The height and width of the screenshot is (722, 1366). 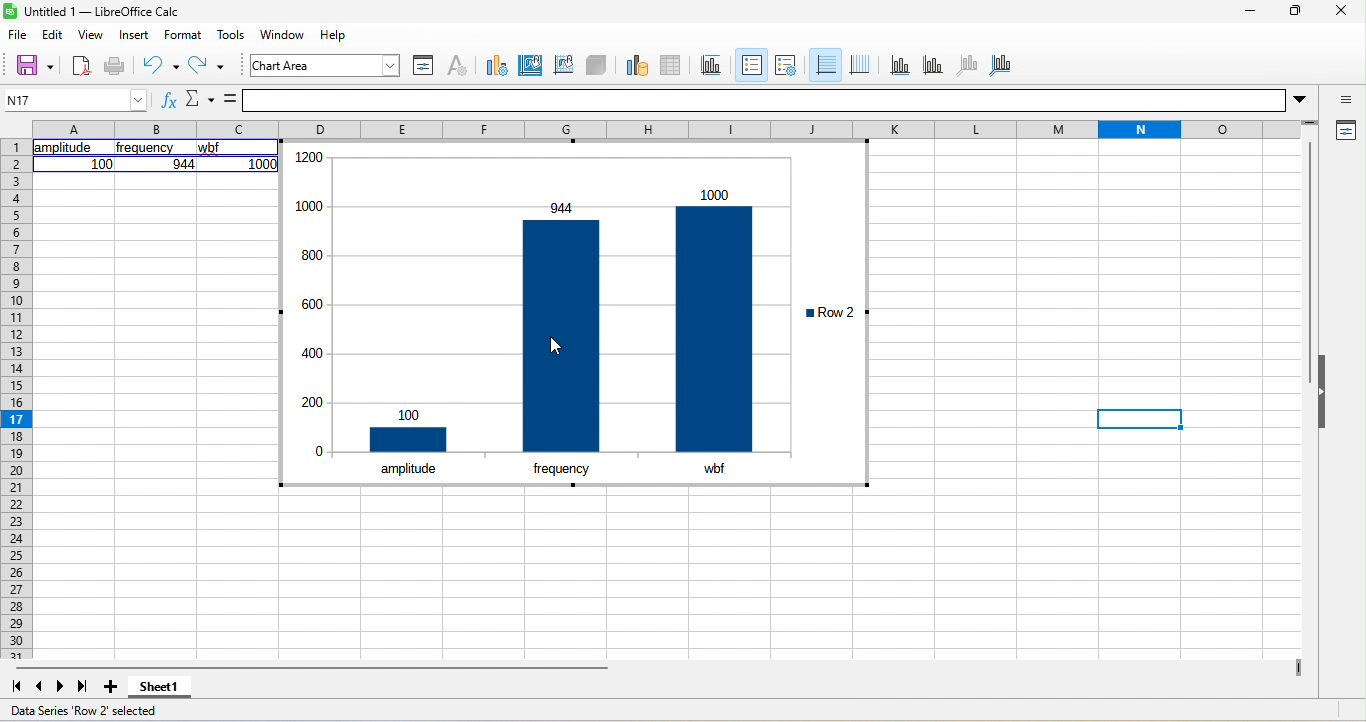 What do you see at coordinates (409, 467) in the screenshot?
I see `amplitude` at bounding box center [409, 467].